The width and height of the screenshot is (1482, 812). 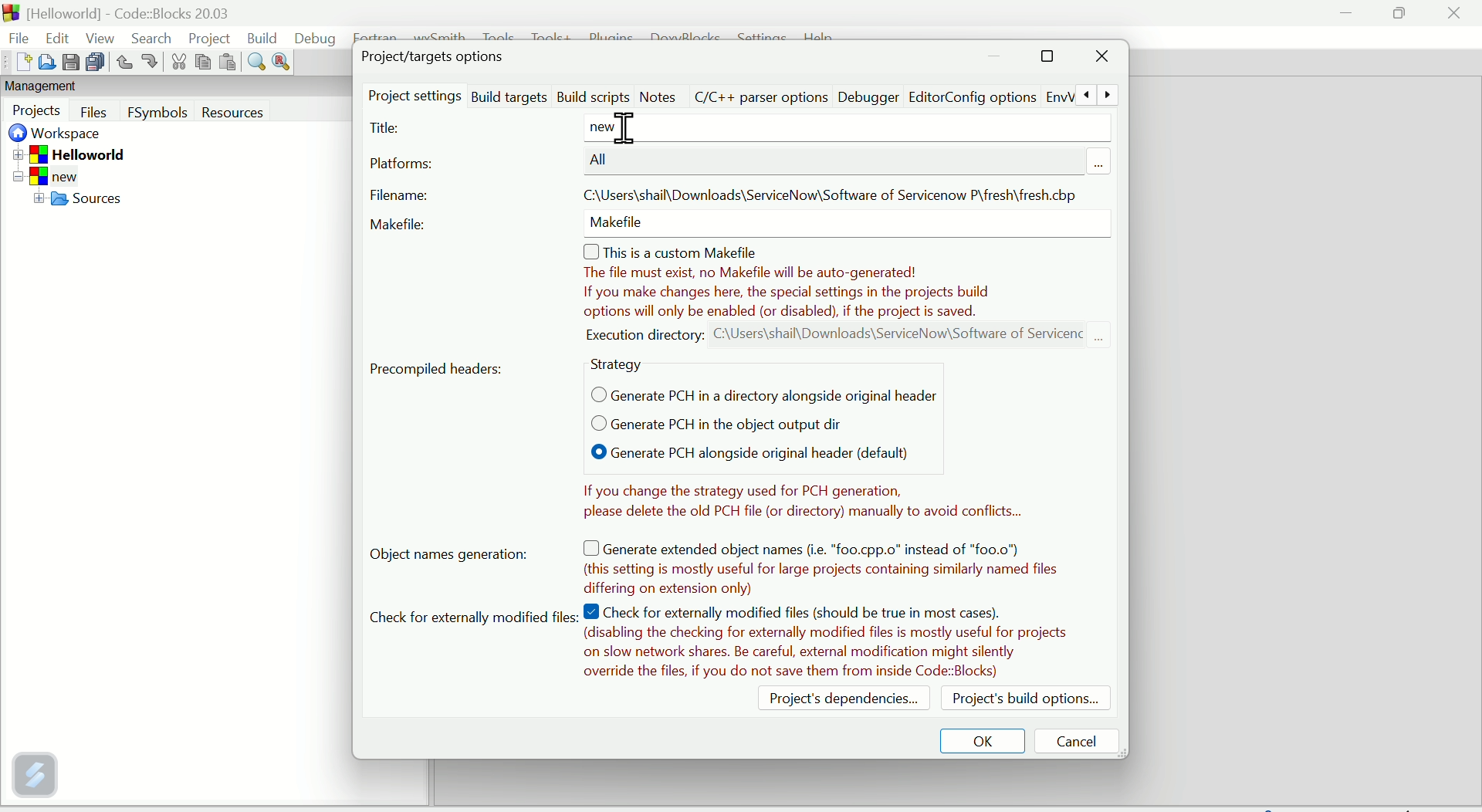 What do you see at coordinates (1347, 15) in the screenshot?
I see `minimise` at bounding box center [1347, 15].